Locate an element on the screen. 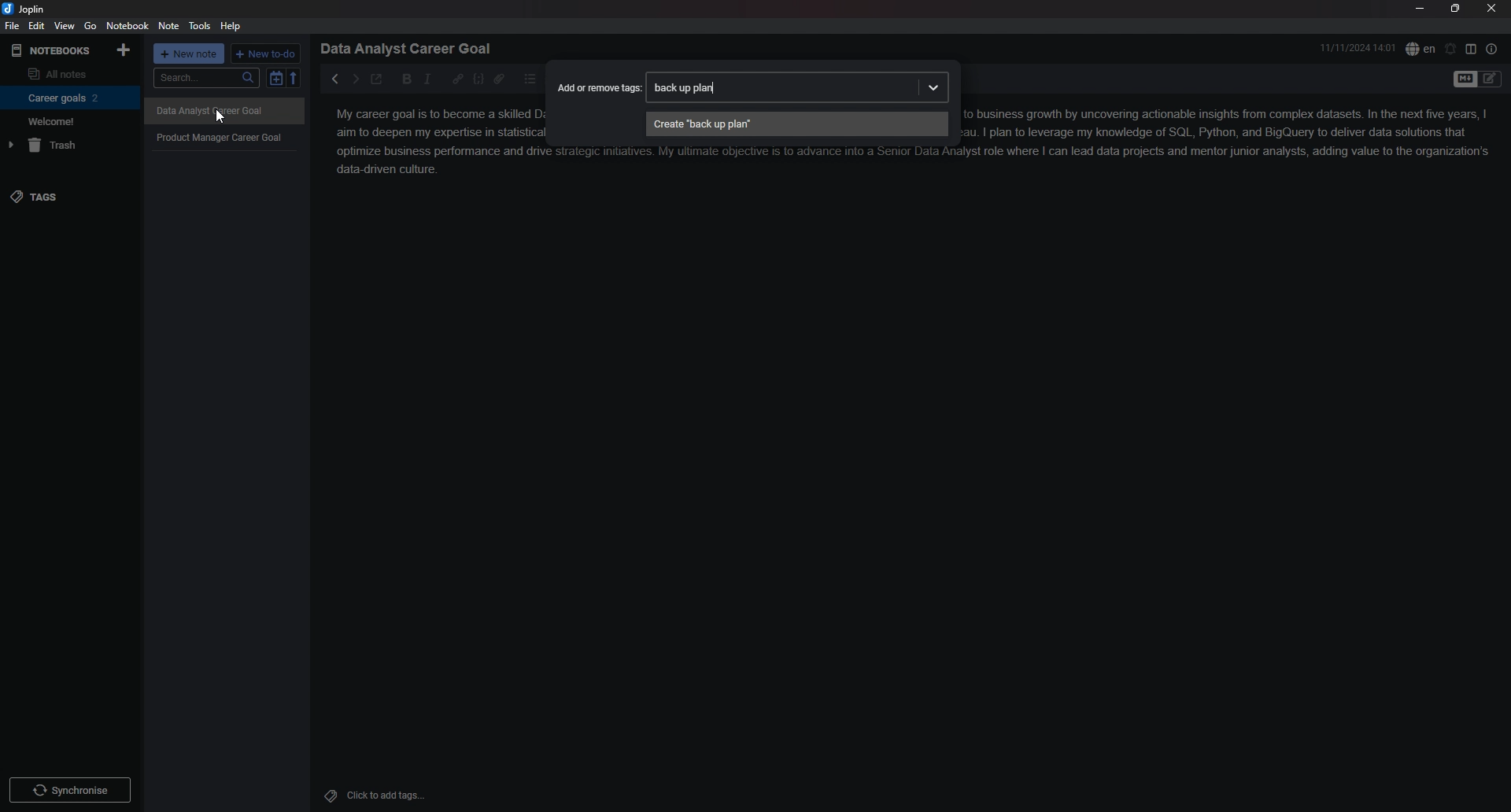 Image resolution: width=1511 pixels, height=812 pixels. notebook is located at coordinates (127, 25).